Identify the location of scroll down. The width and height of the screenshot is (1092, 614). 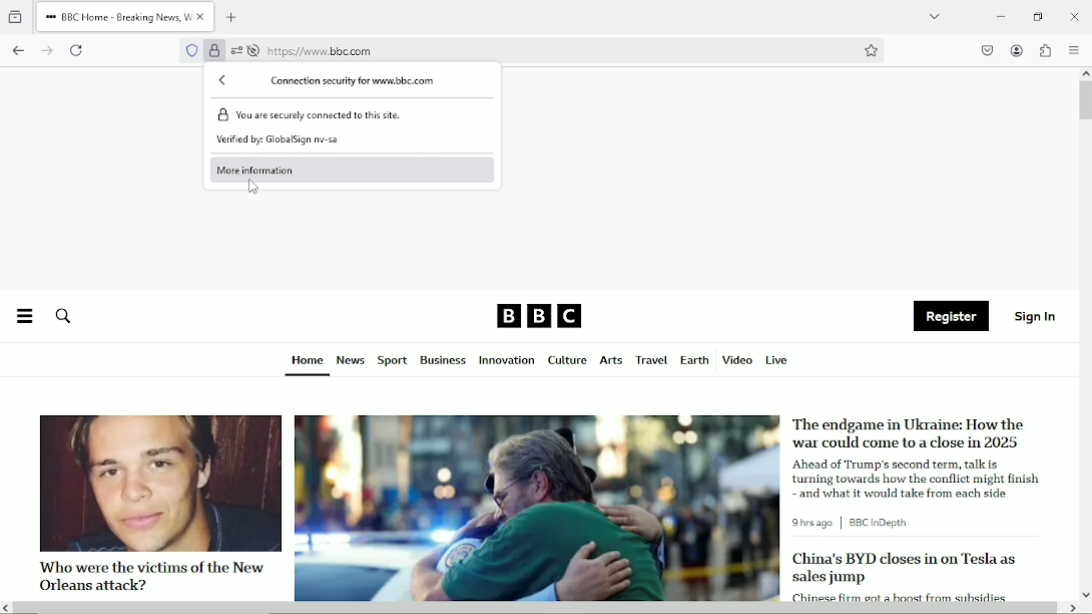
(1085, 594).